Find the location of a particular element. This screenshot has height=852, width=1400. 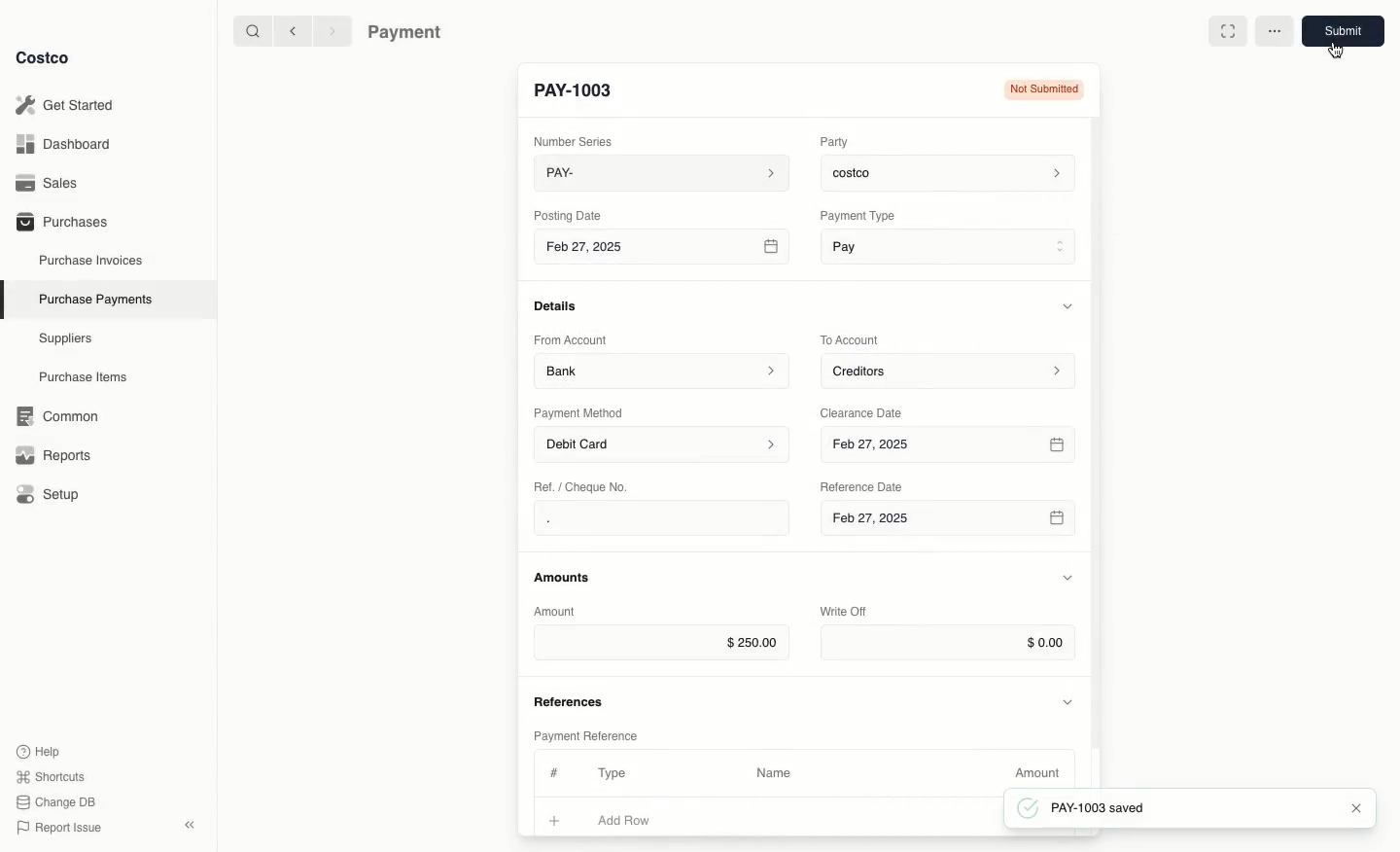

Submit is located at coordinates (1343, 31).